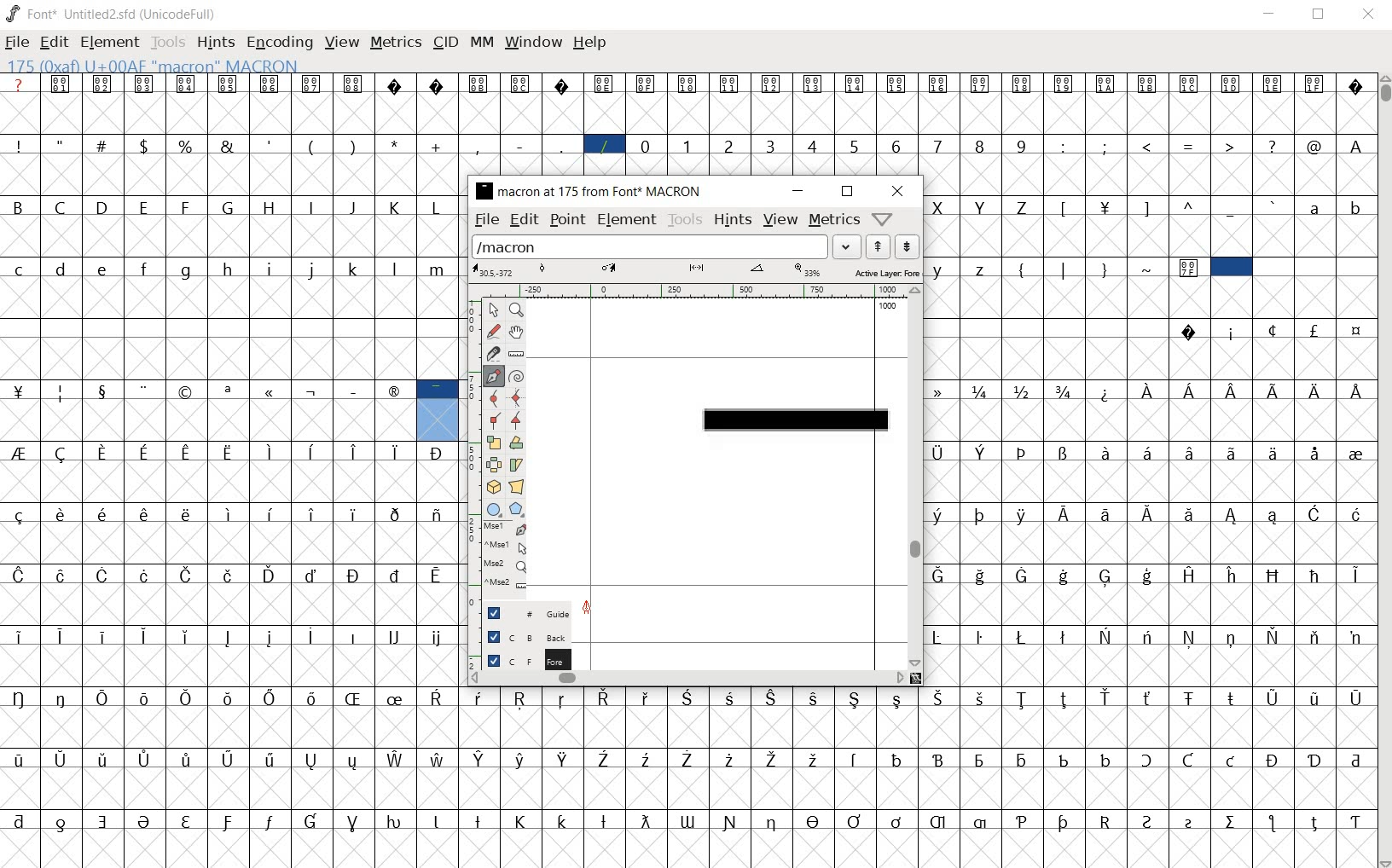 The image size is (1392, 868). I want to click on Symbol, so click(1354, 391).